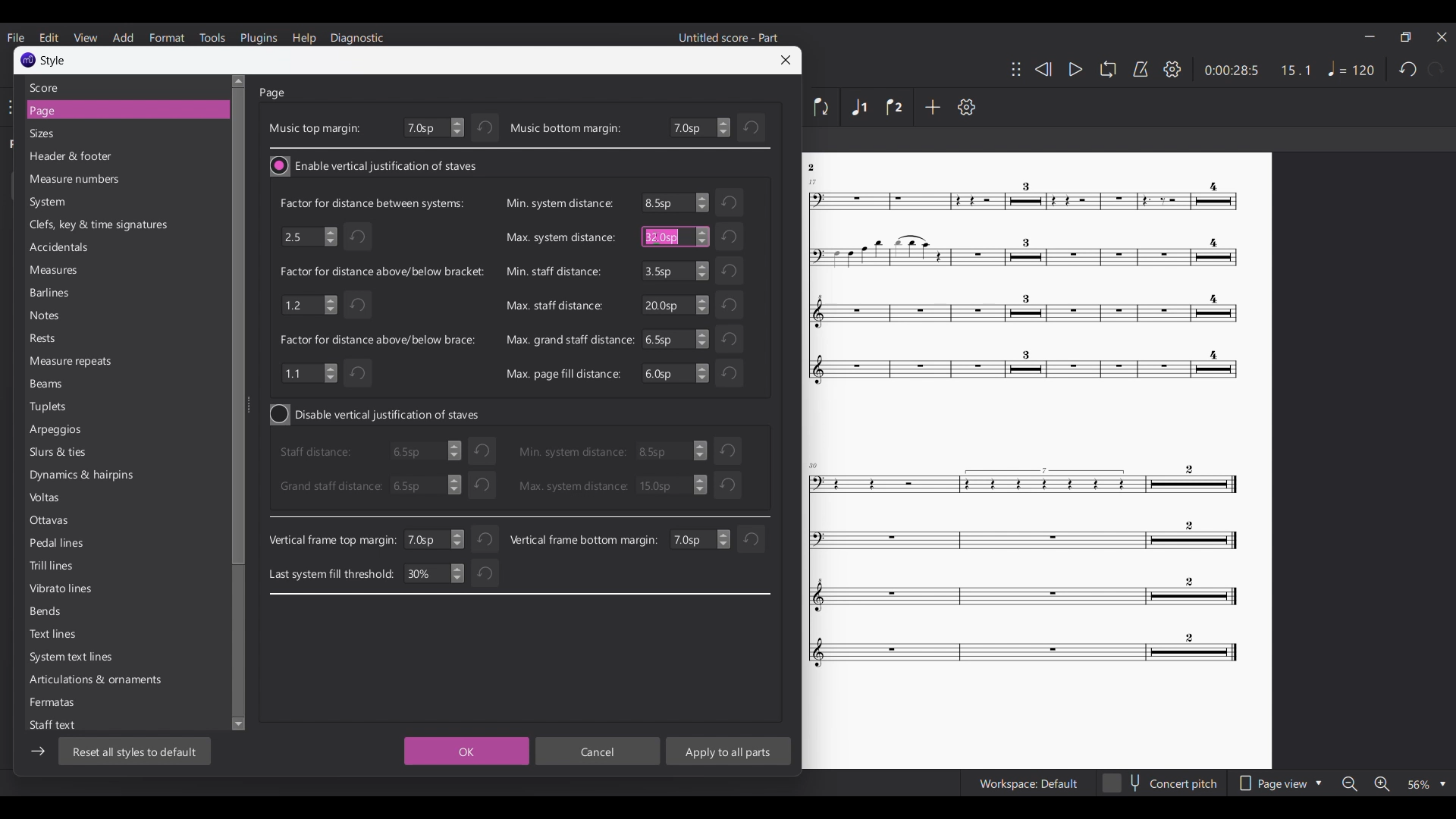 The image size is (1456, 819). What do you see at coordinates (671, 485) in the screenshot?
I see `30.0 sp` at bounding box center [671, 485].